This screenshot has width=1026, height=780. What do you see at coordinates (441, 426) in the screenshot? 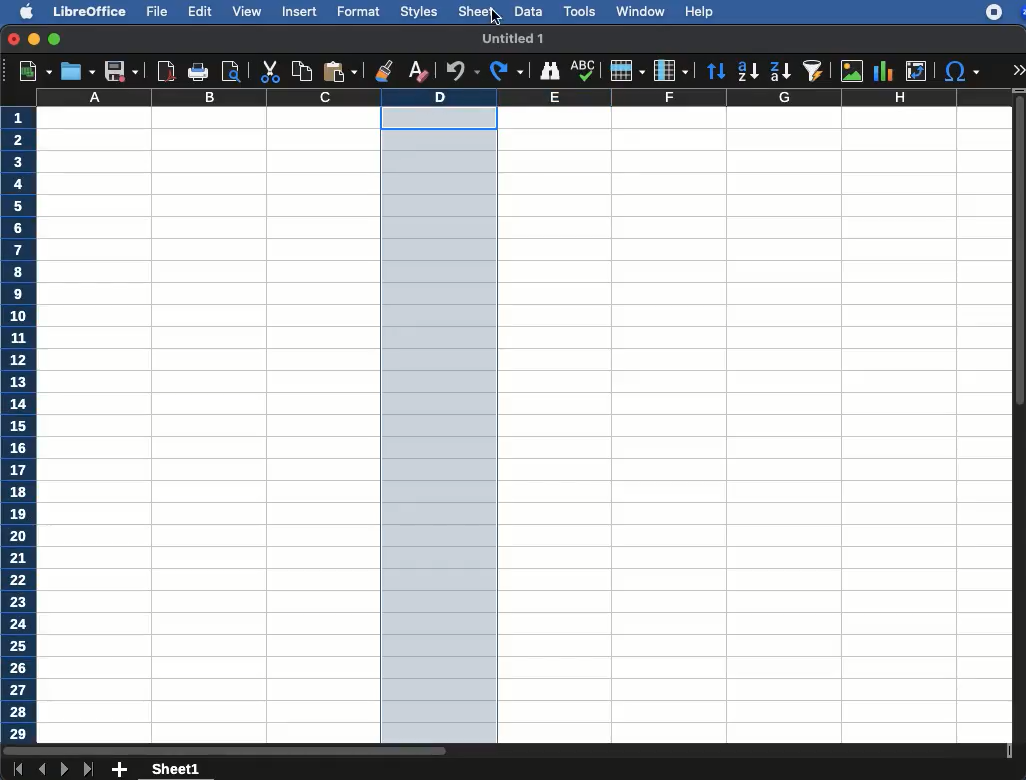
I see `column selected` at bounding box center [441, 426].